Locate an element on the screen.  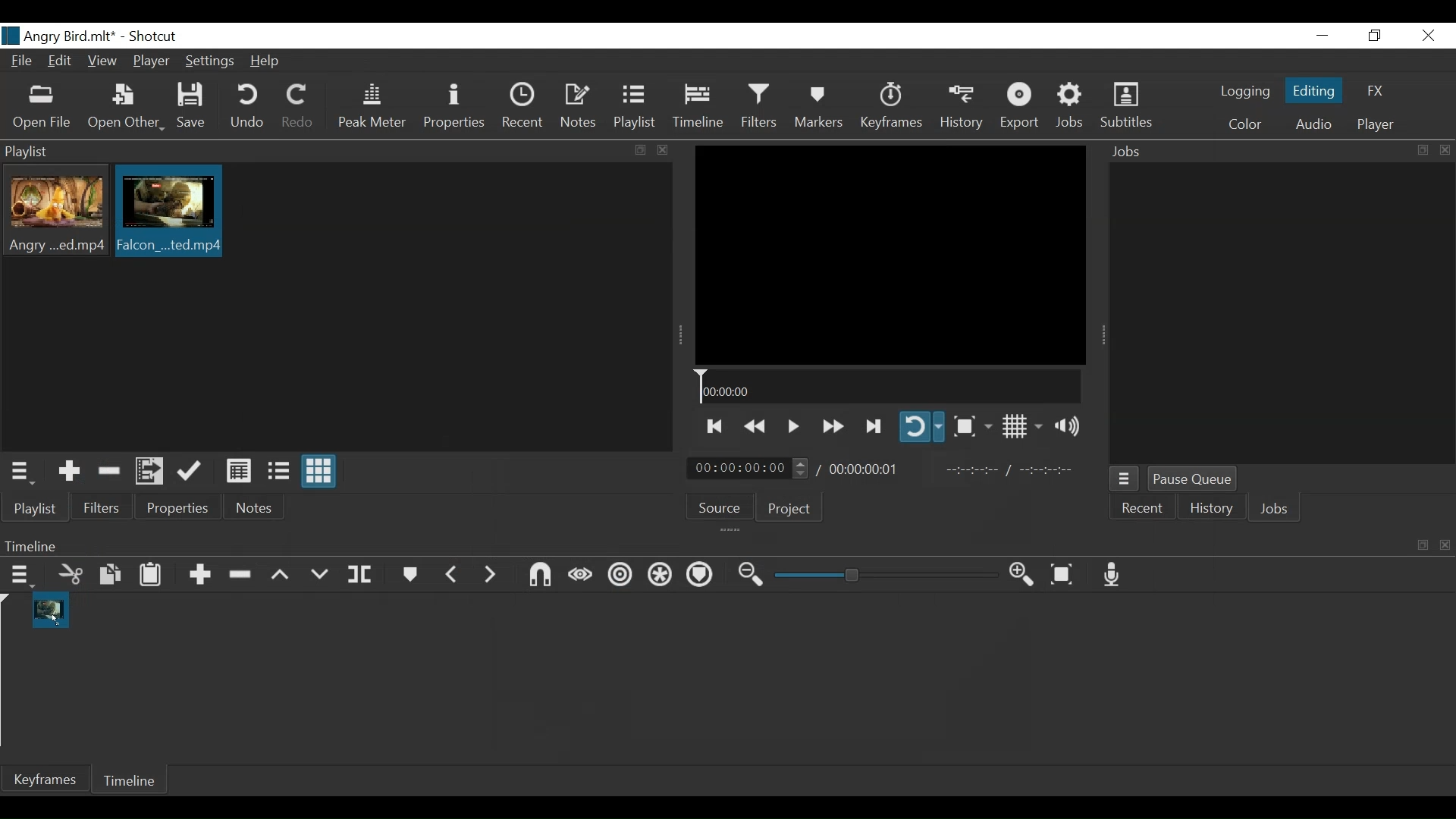
Redo is located at coordinates (299, 106).